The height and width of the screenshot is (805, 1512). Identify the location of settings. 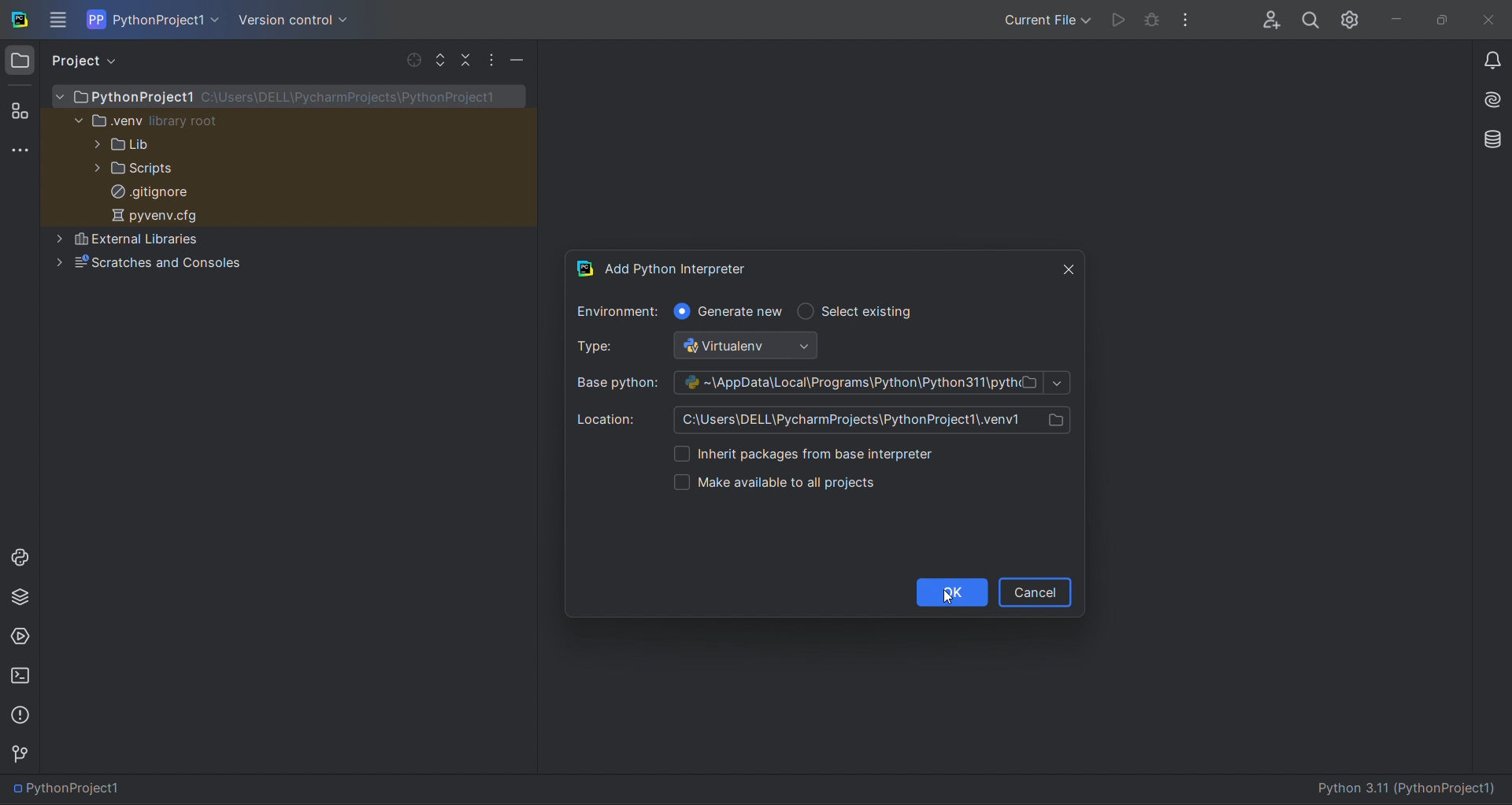
(1352, 17).